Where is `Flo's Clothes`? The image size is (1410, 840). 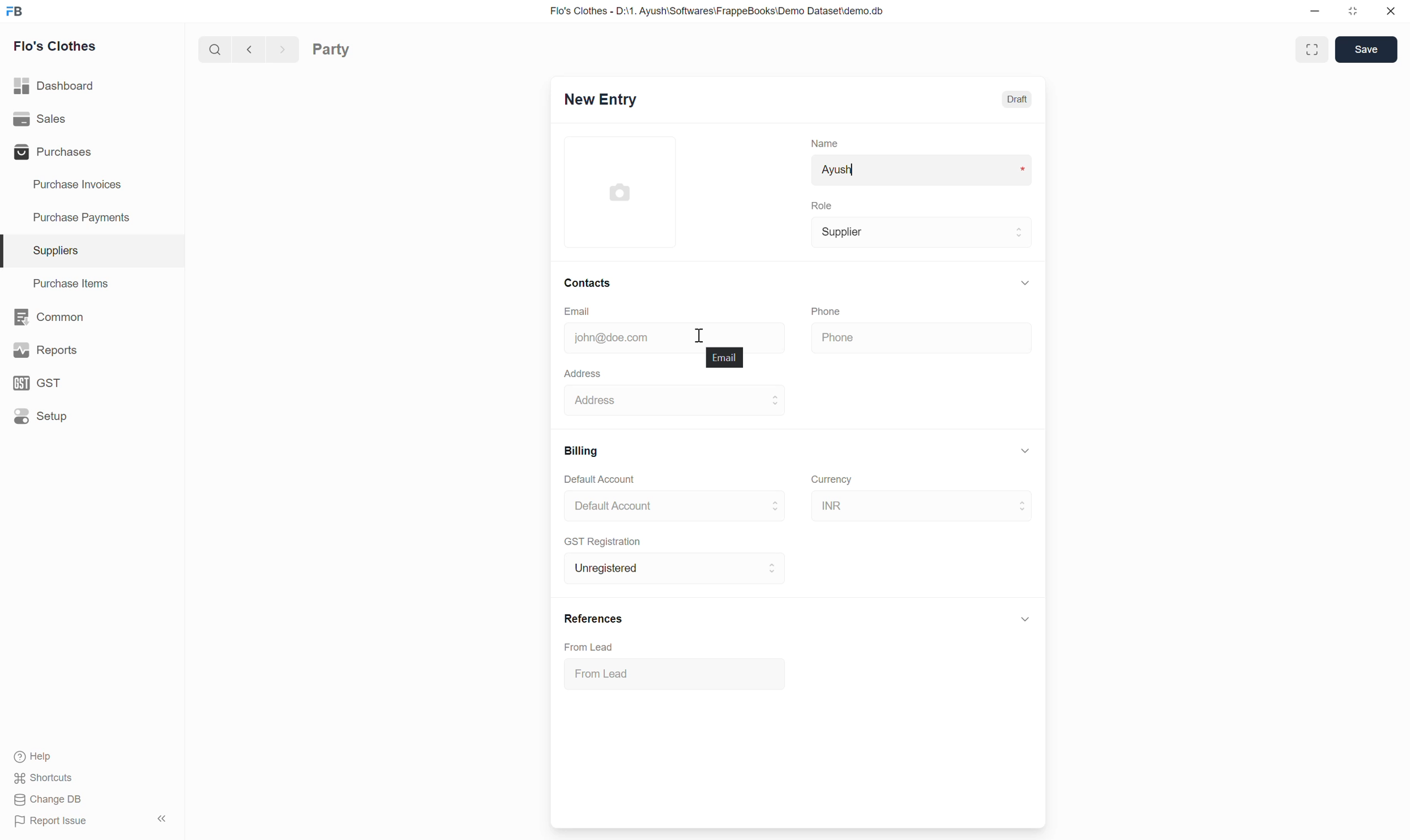
Flo's Clothes is located at coordinates (55, 45).